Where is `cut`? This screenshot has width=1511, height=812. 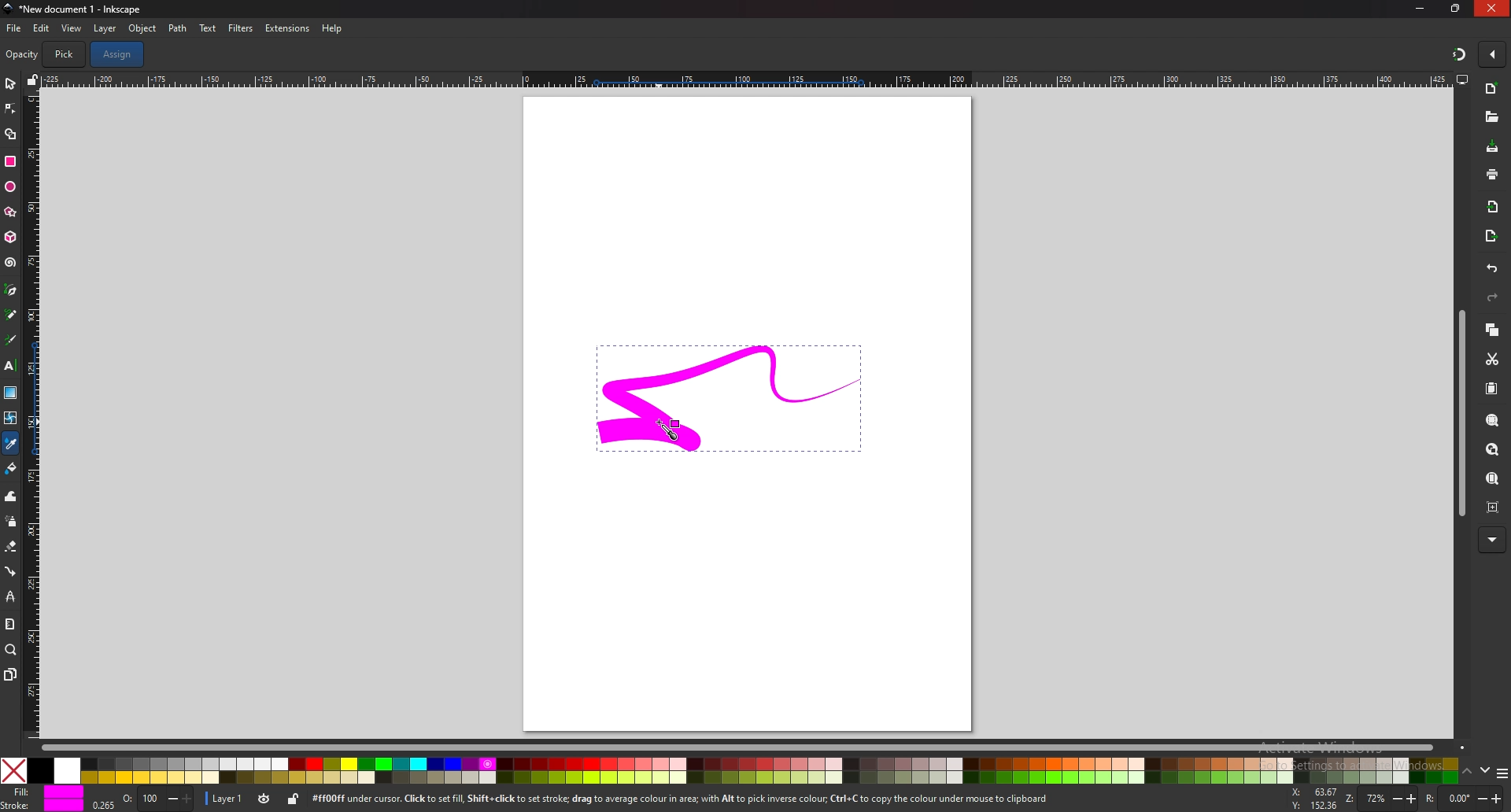
cut is located at coordinates (1492, 358).